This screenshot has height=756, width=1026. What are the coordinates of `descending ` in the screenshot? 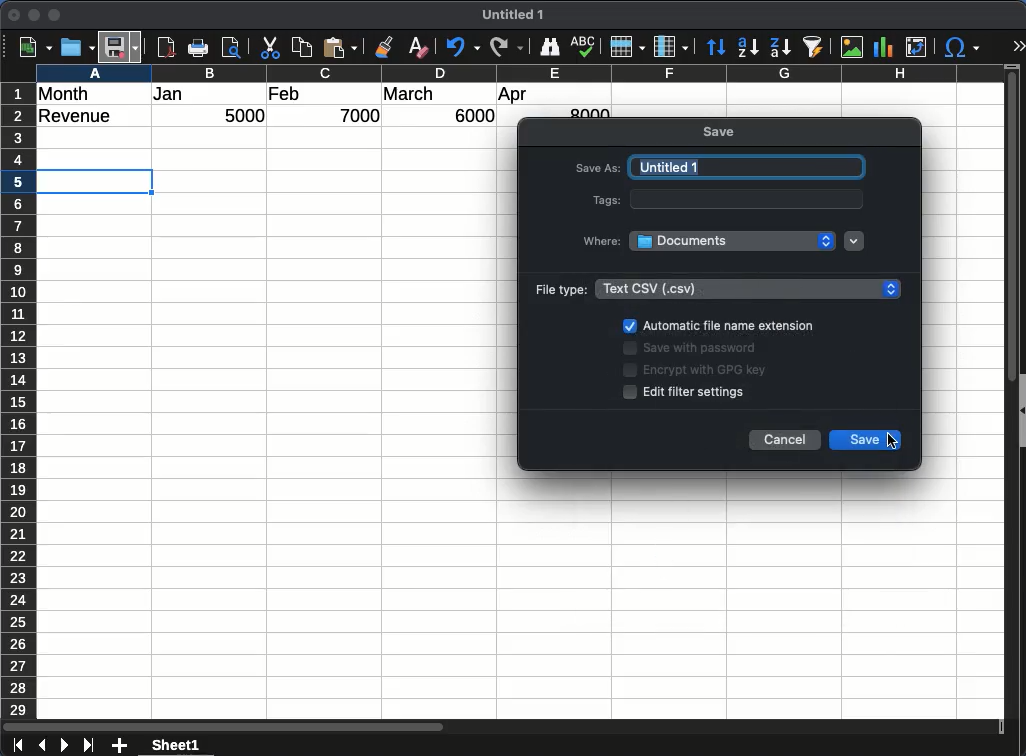 It's located at (779, 46).